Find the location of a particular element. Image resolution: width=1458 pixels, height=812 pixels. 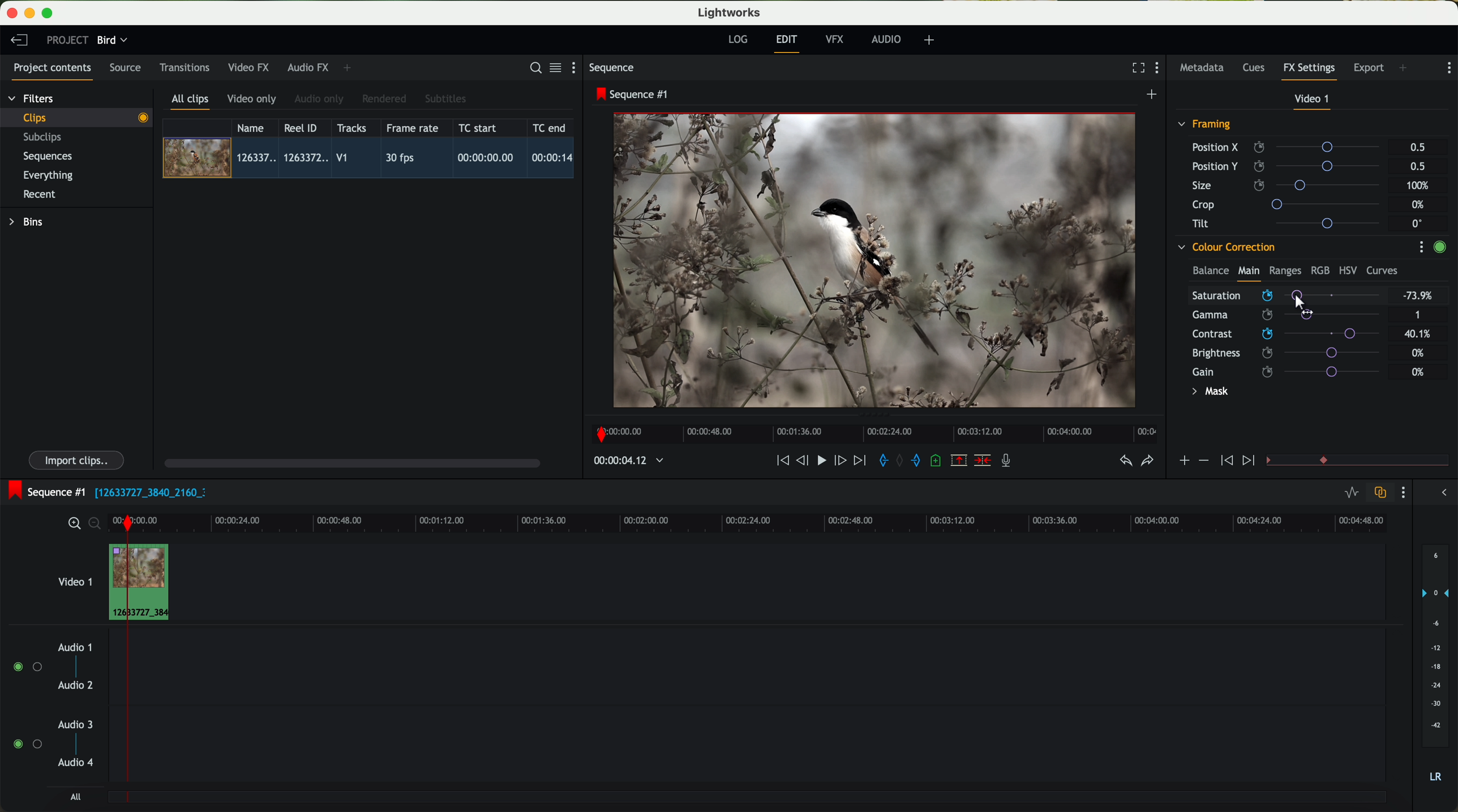

close program is located at coordinates (12, 13).